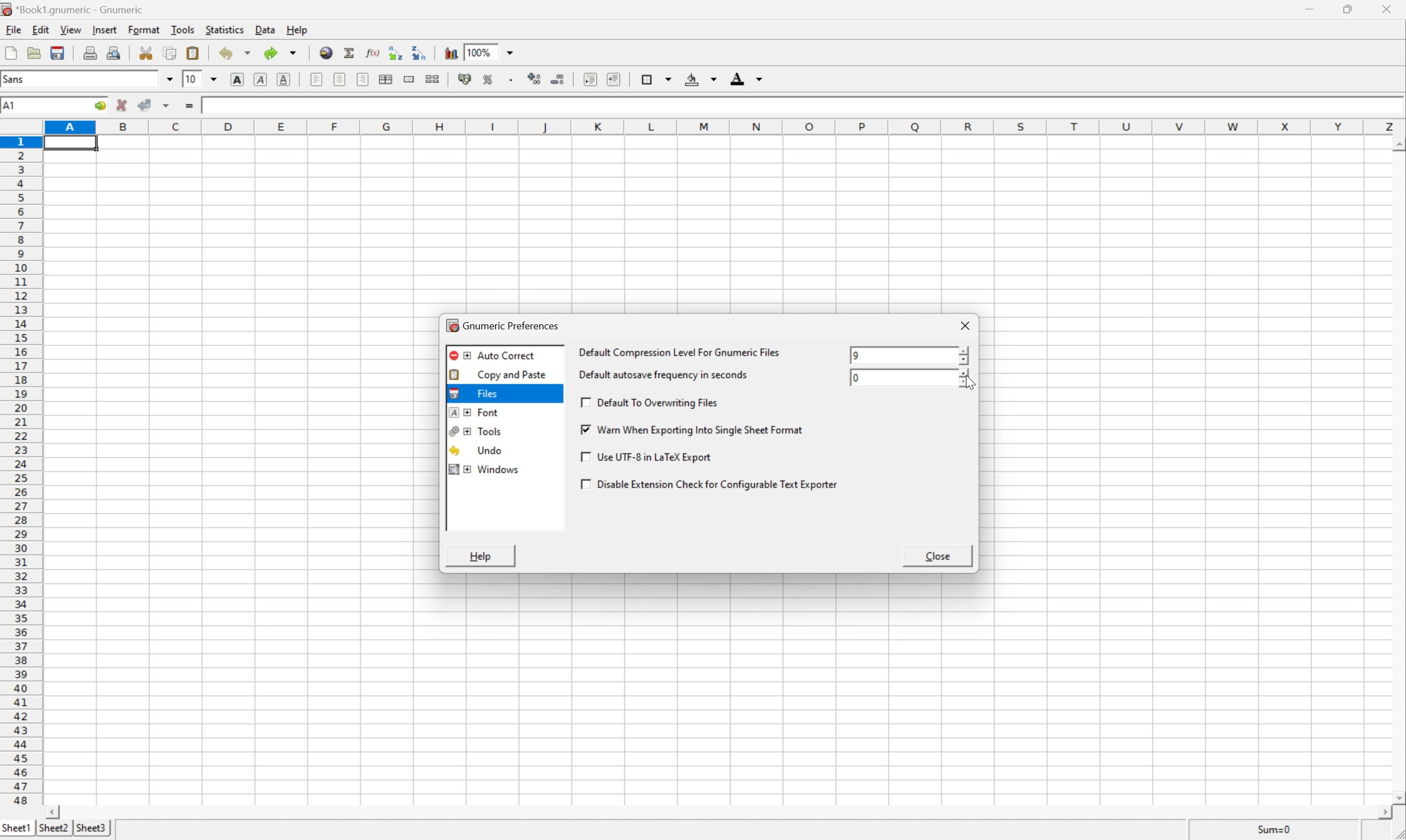  Describe the element at coordinates (224, 31) in the screenshot. I see `statistics` at that location.